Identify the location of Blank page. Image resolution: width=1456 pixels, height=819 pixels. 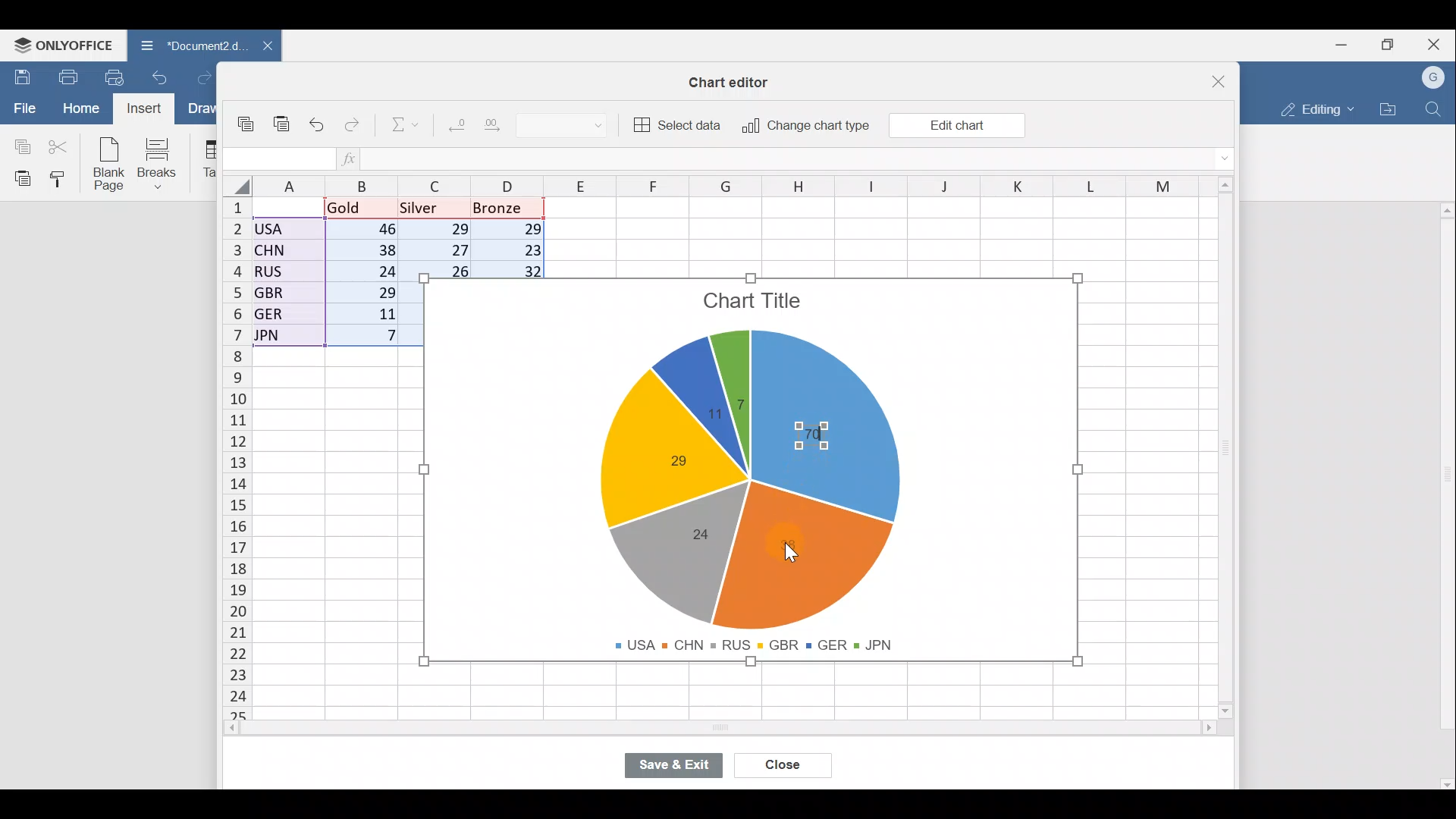
(105, 162).